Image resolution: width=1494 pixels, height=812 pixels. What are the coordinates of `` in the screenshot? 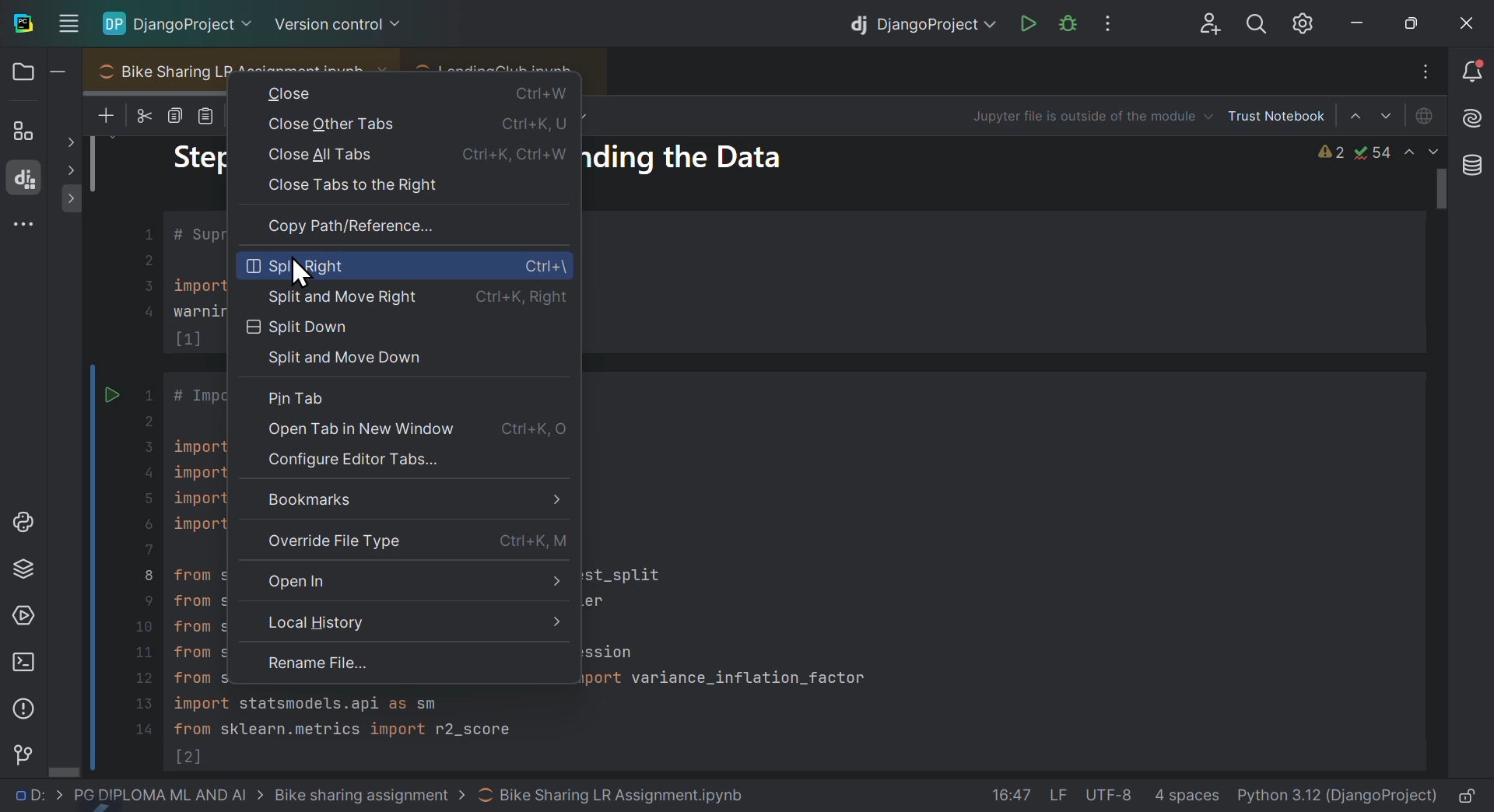 It's located at (72, 172).